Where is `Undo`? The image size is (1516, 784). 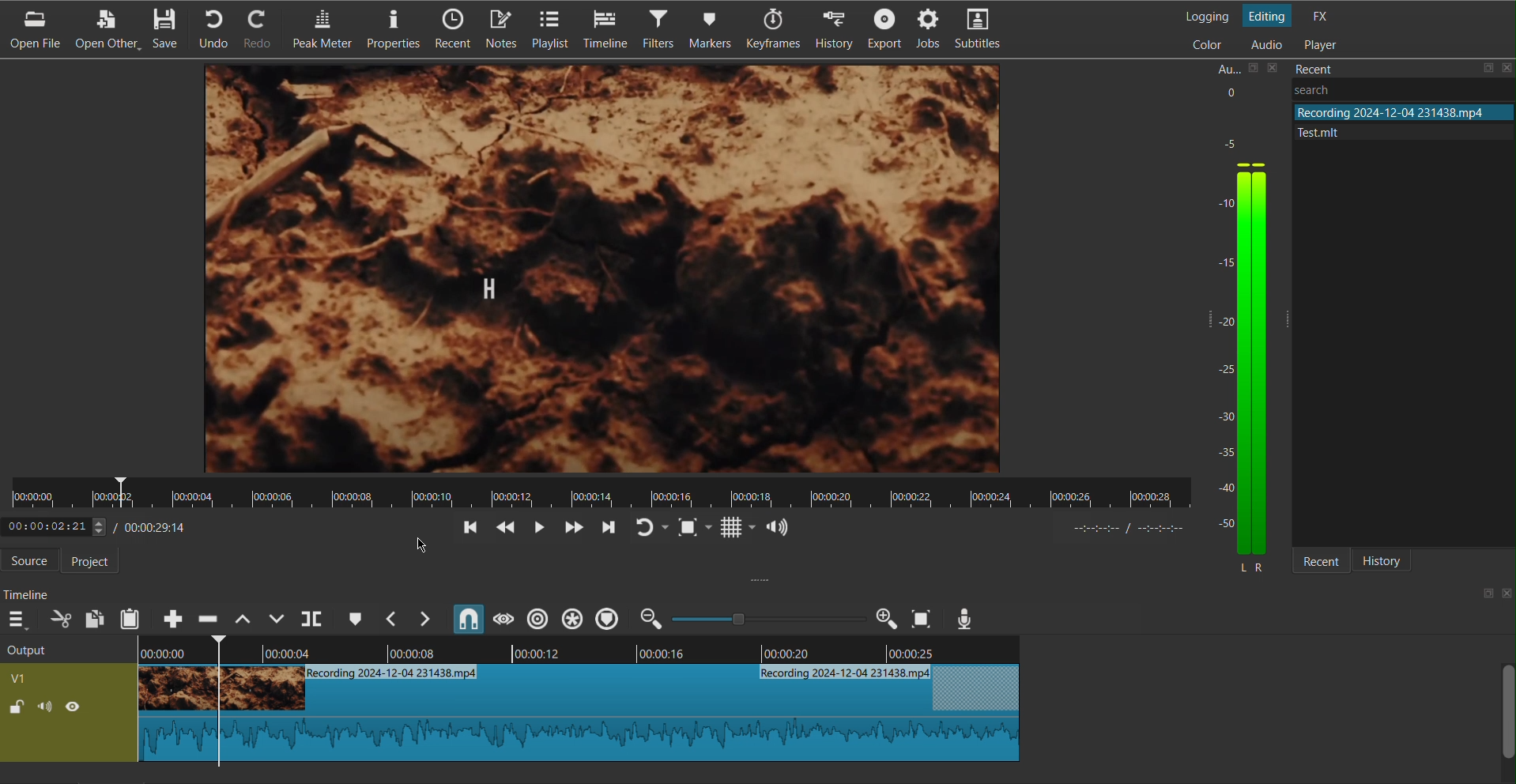 Undo is located at coordinates (217, 28).